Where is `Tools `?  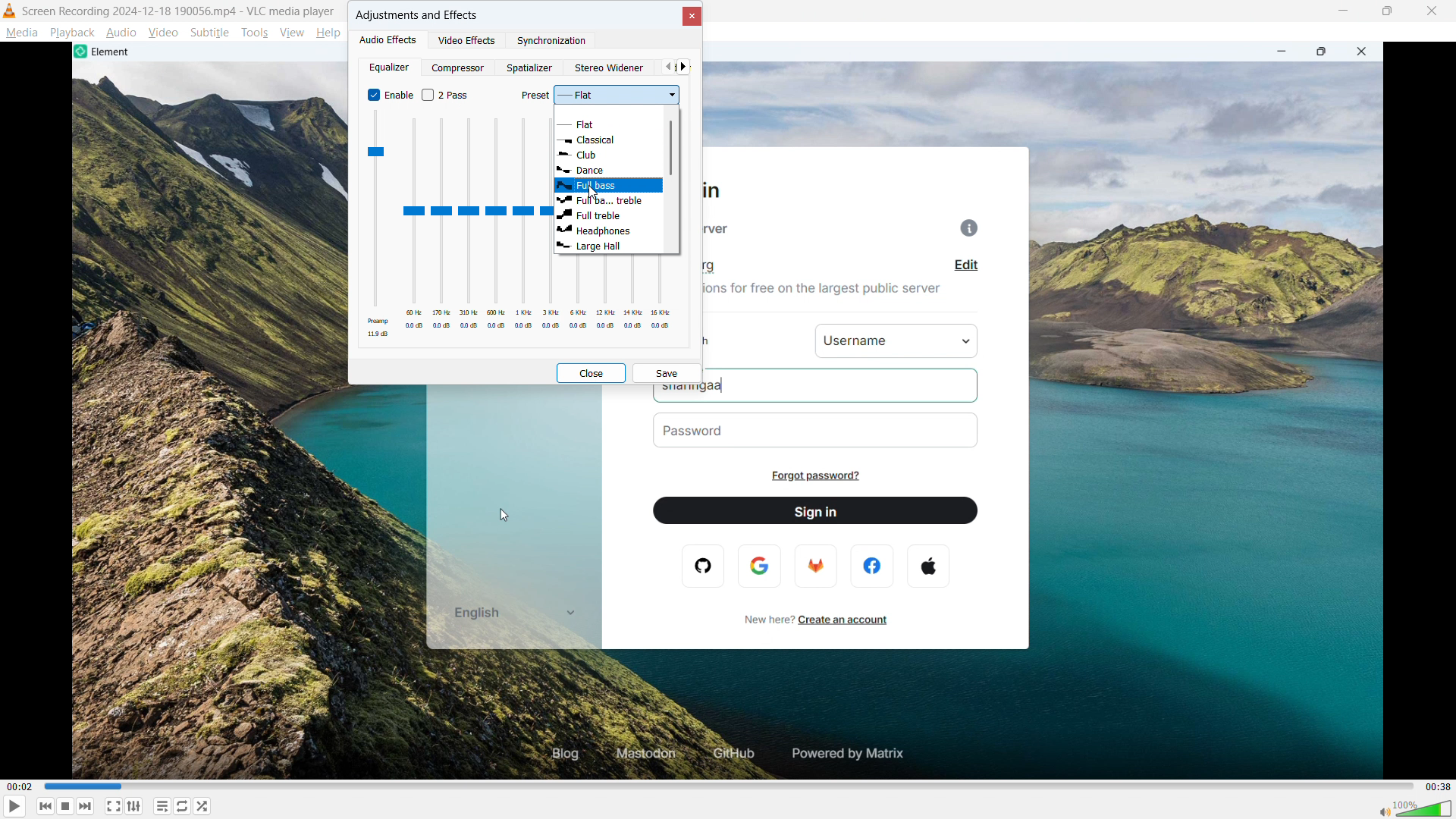 Tools  is located at coordinates (254, 33).